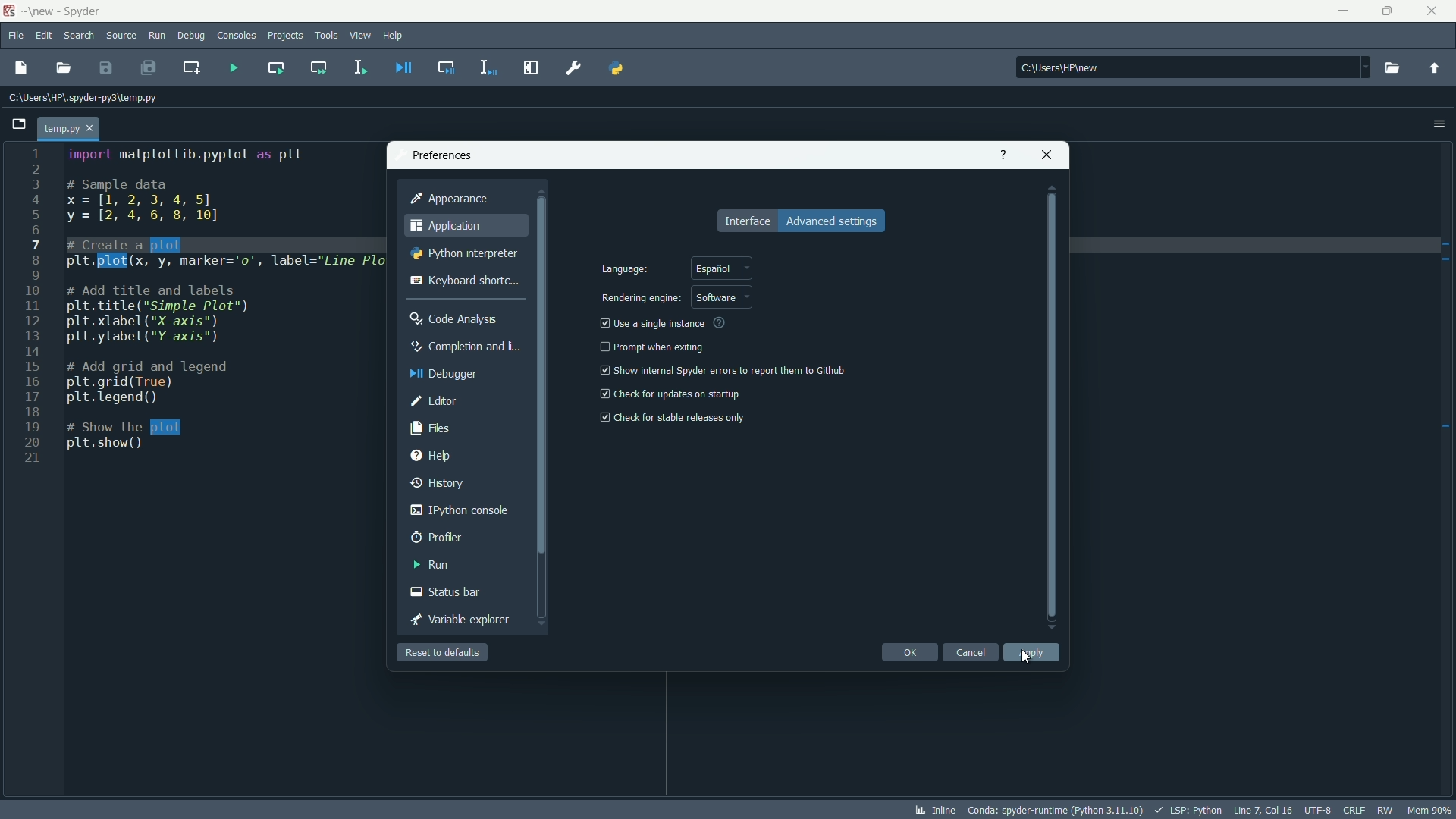 The image size is (1456, 819). What do you see at coordinates (64, 68) in the screenshot?
I see `open file` at bounding box center [64, 68].